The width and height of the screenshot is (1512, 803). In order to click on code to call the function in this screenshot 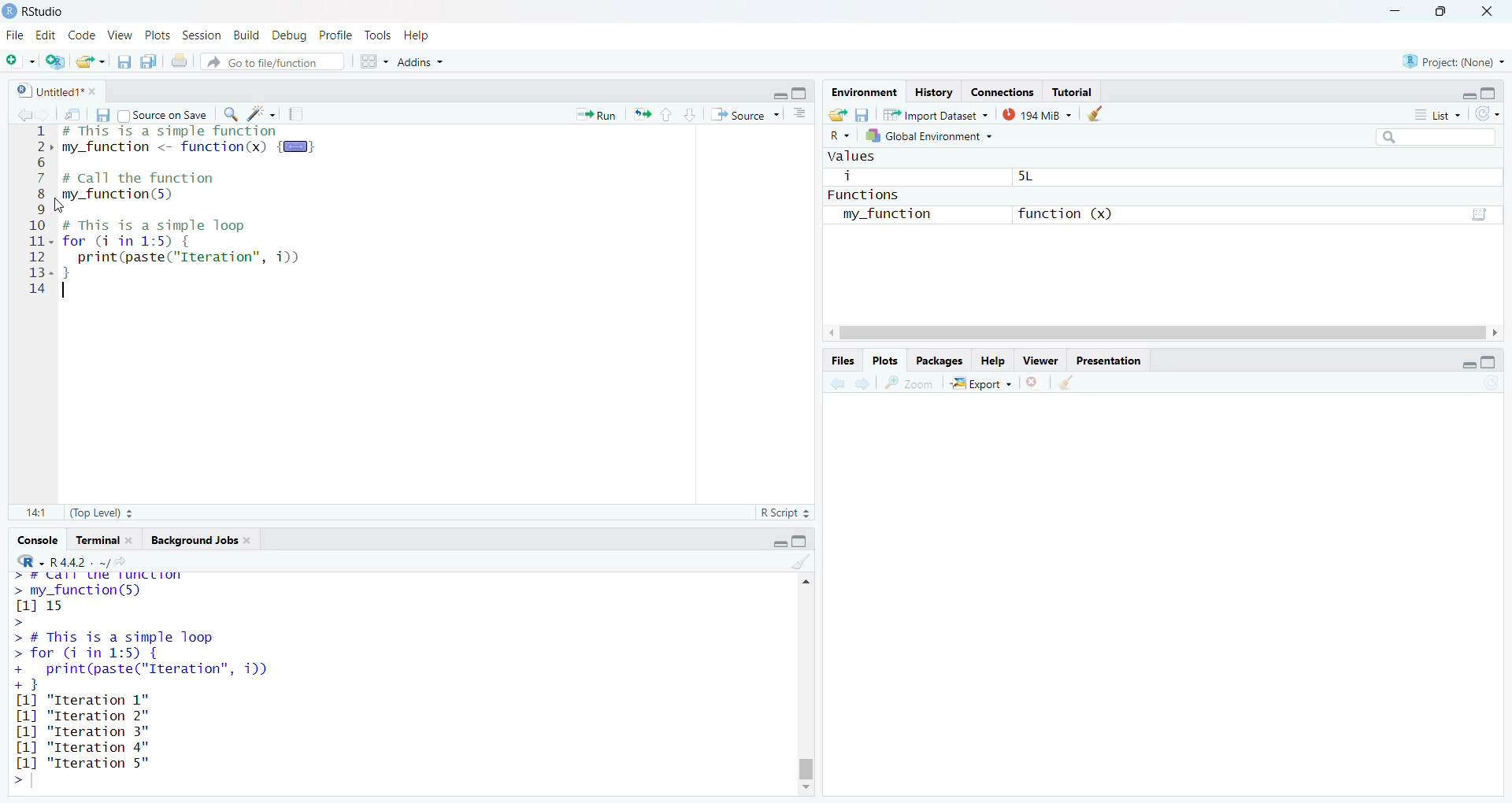, I will do `click(177, 184)`.